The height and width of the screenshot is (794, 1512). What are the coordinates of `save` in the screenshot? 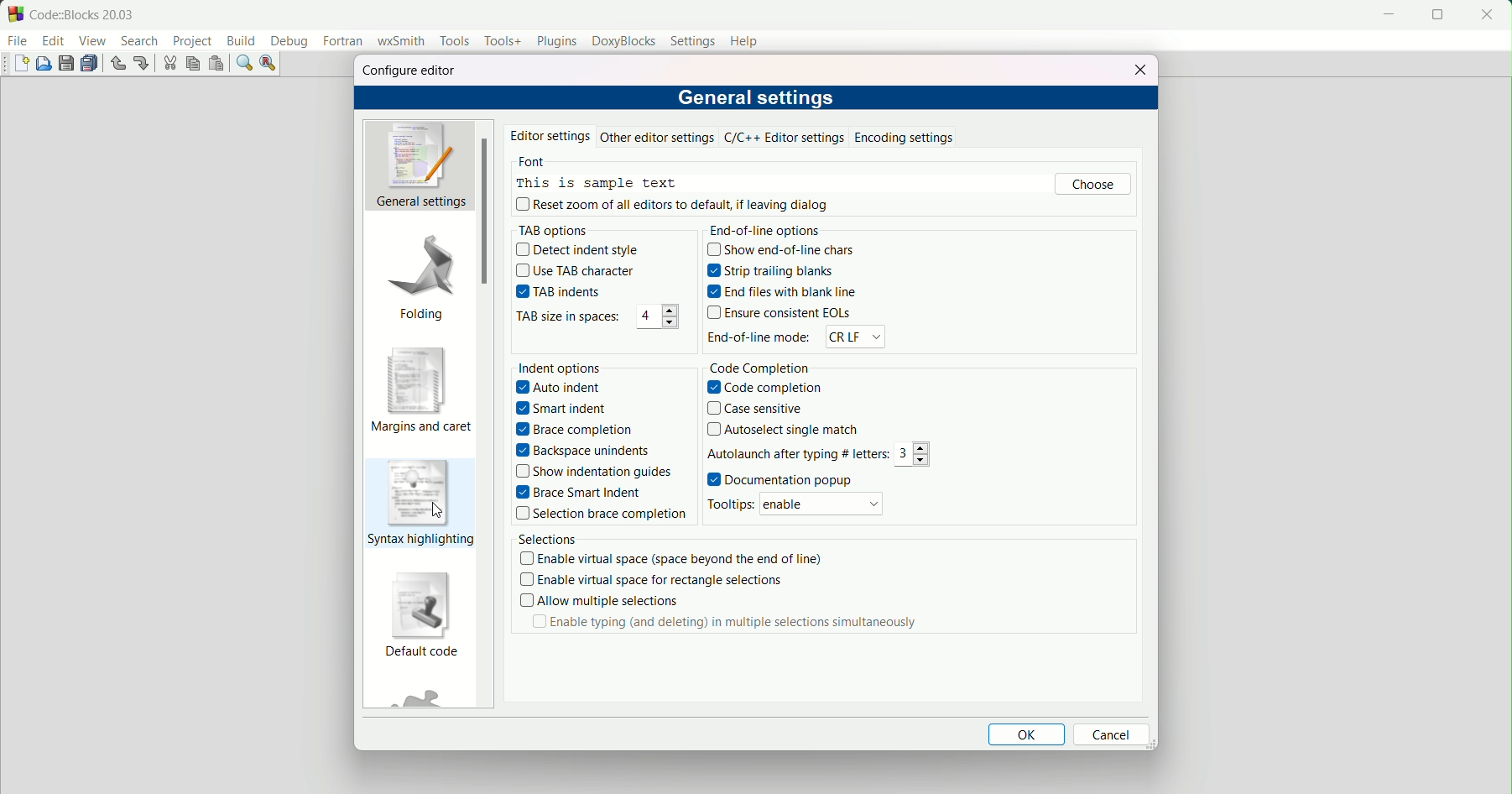 It's located at (66, 62).